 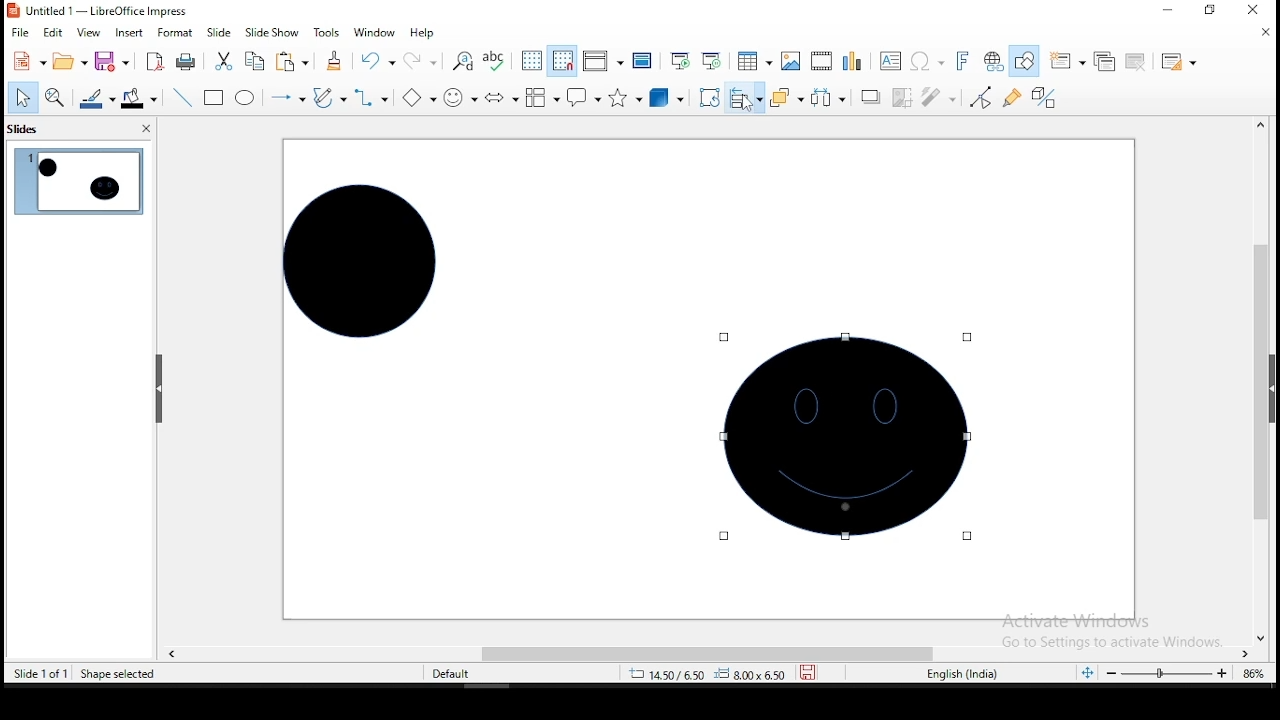 What do you see at coordinates (788, 62) in the screenshot?
I see `insert image` at bounding box center [788, 62].